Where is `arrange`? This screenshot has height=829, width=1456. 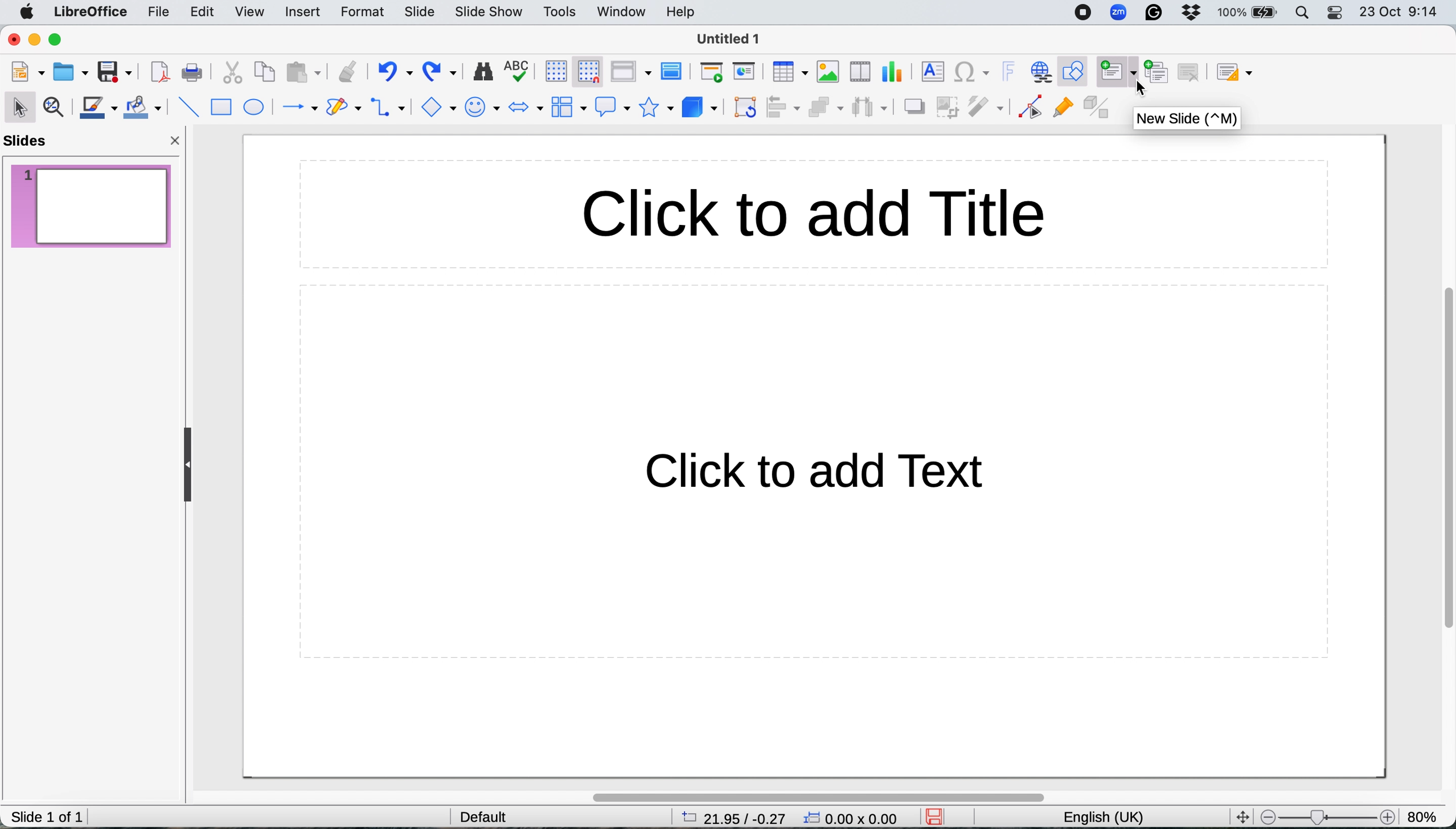
arrange is located at coordinates (824, 109).